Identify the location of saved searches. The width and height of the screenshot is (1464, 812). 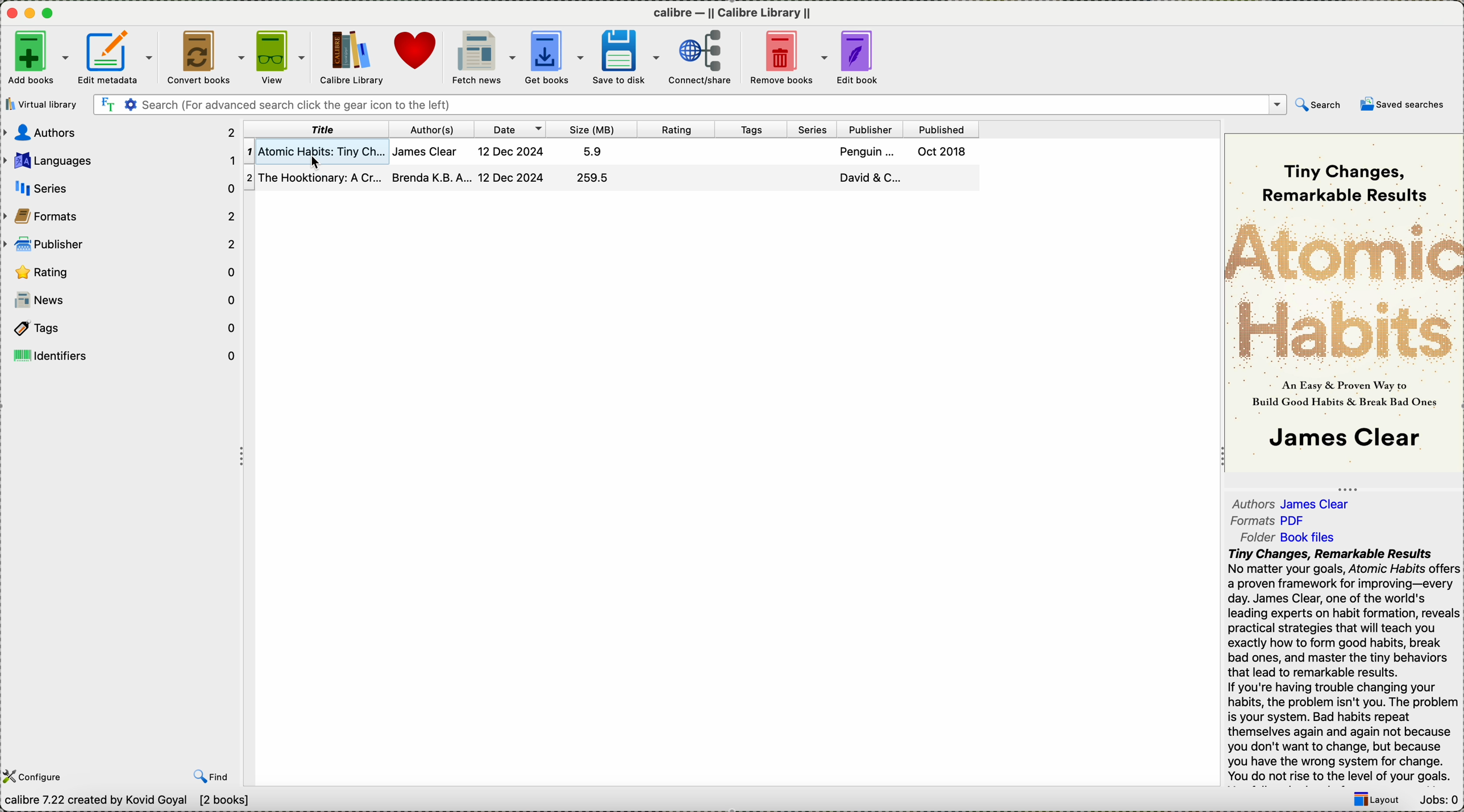
(1403, 107).